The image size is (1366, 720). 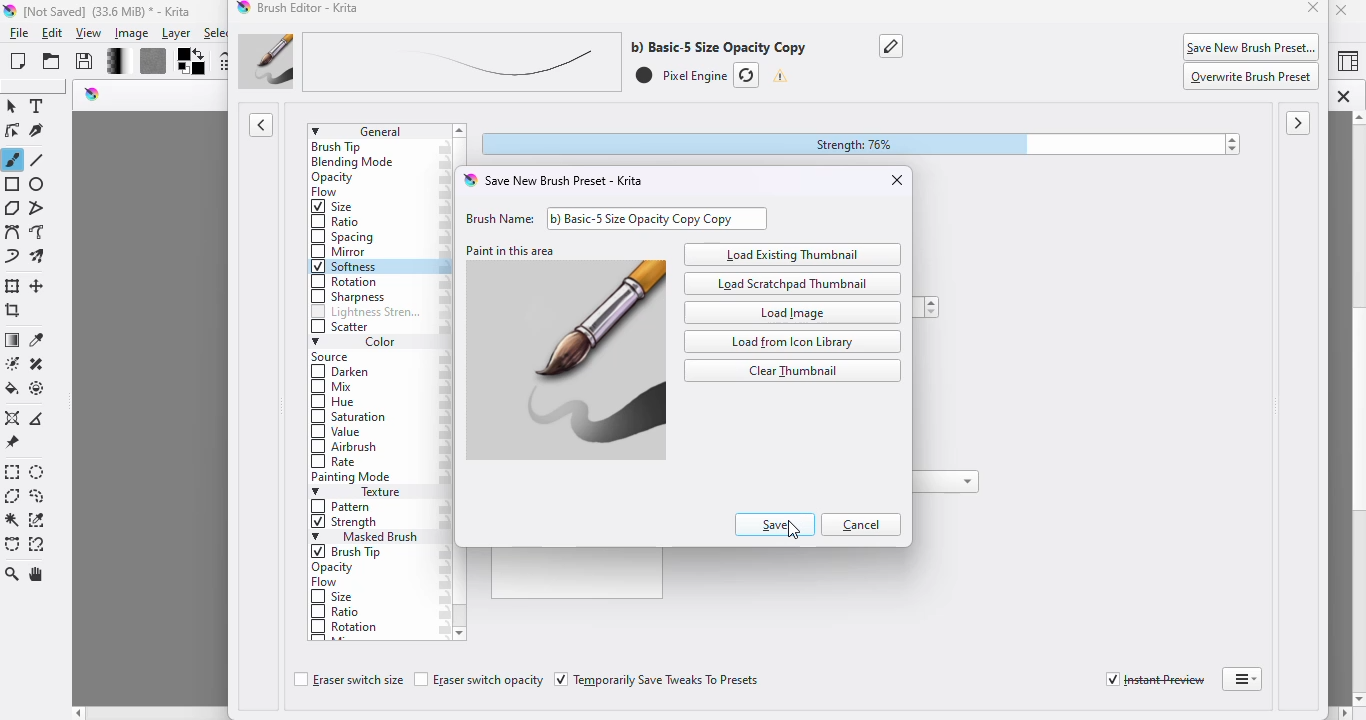 I want to click on line tool, so click(x=40, y=160).